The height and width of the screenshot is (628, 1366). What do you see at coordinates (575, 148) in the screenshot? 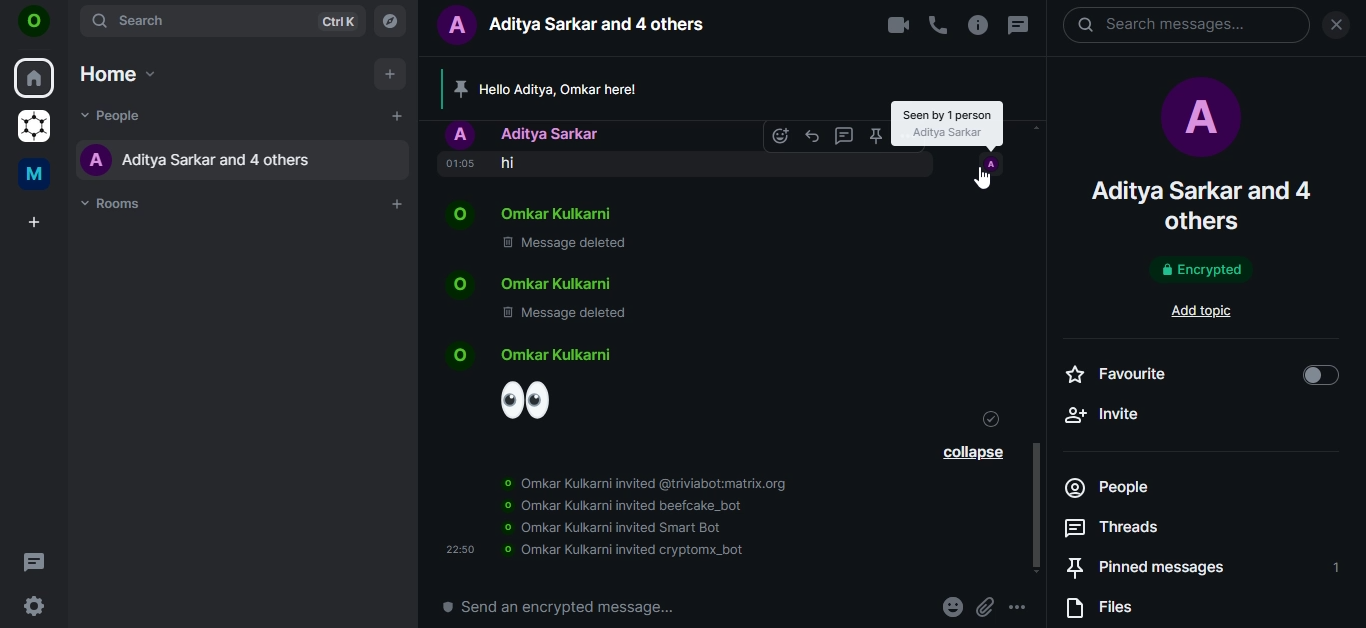
I see ` chat messages` at bounding box center [575, 148].